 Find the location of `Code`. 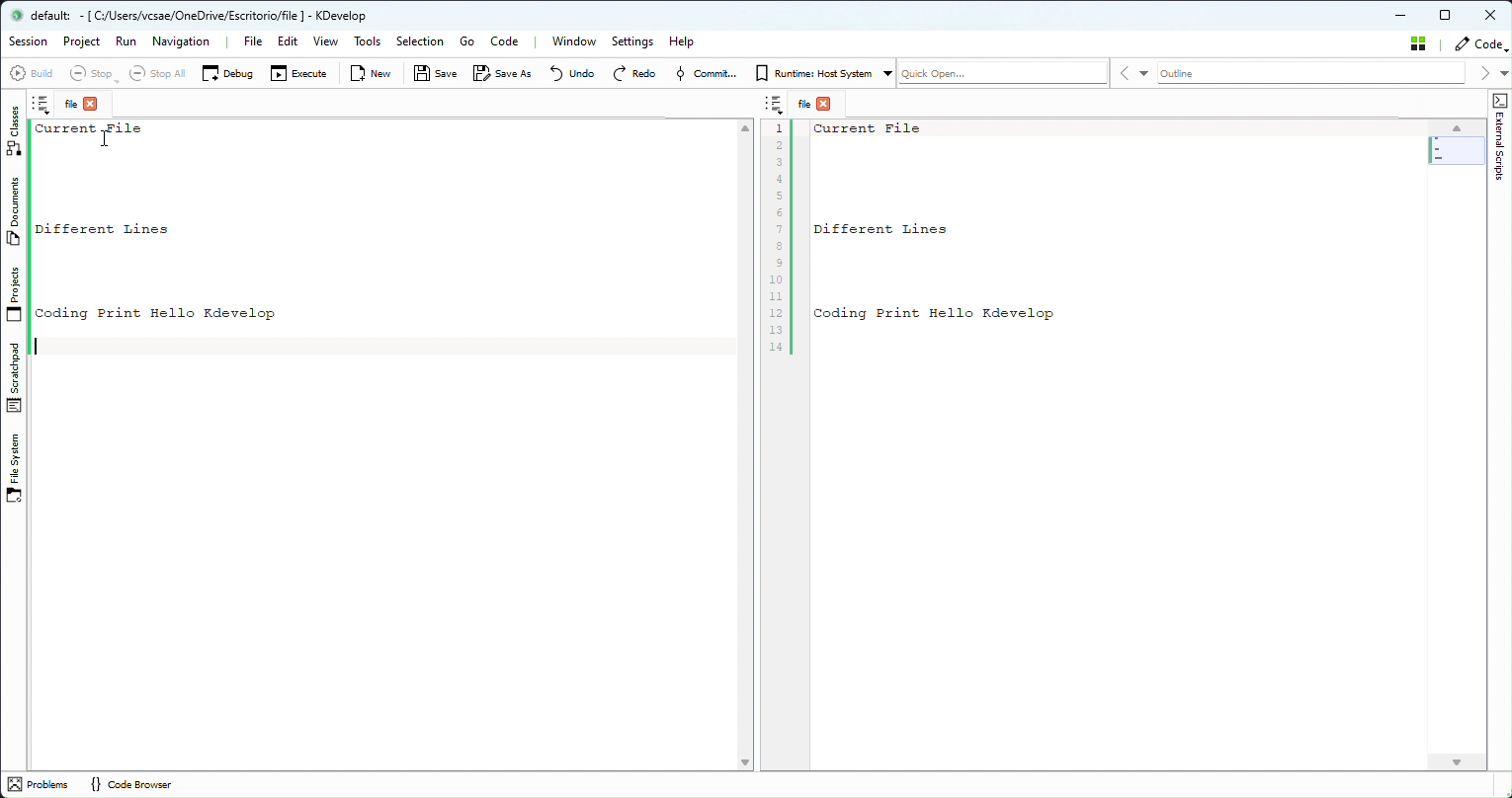

Code is located at coordinates (1479, 45).